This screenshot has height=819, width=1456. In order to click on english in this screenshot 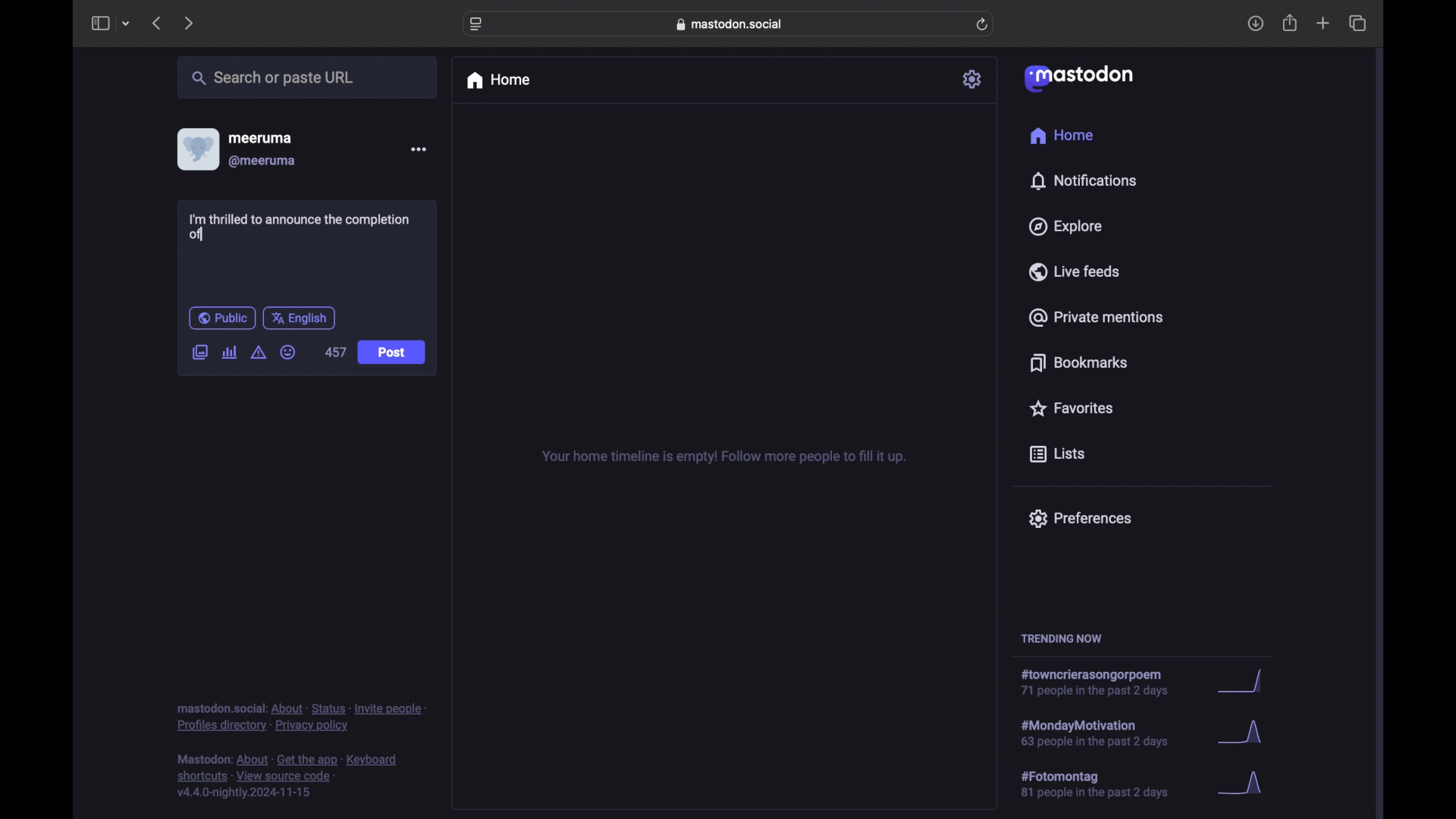, I will do `click(299, 319)`.